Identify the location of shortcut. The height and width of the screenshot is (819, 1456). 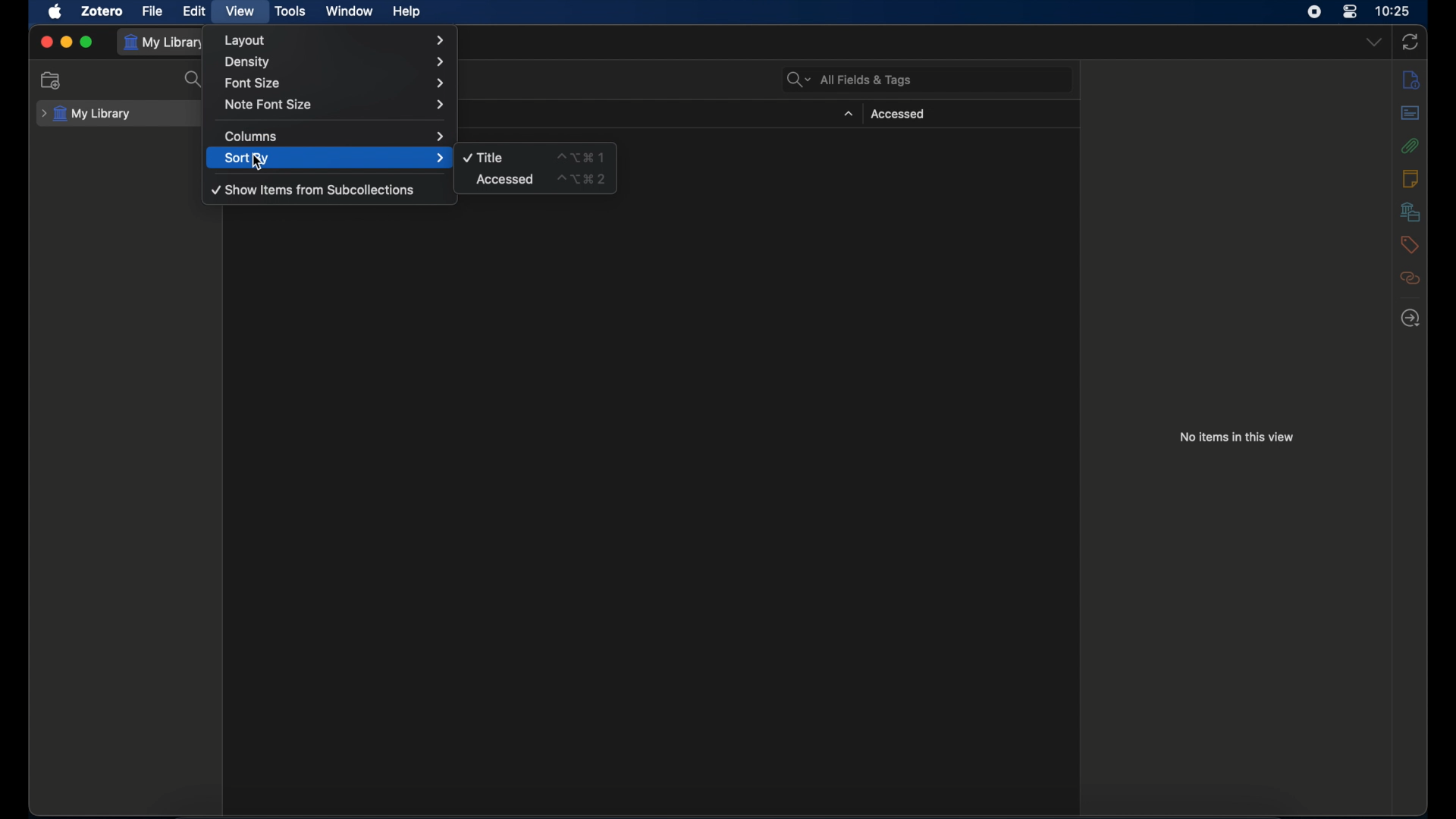
(579, 156).